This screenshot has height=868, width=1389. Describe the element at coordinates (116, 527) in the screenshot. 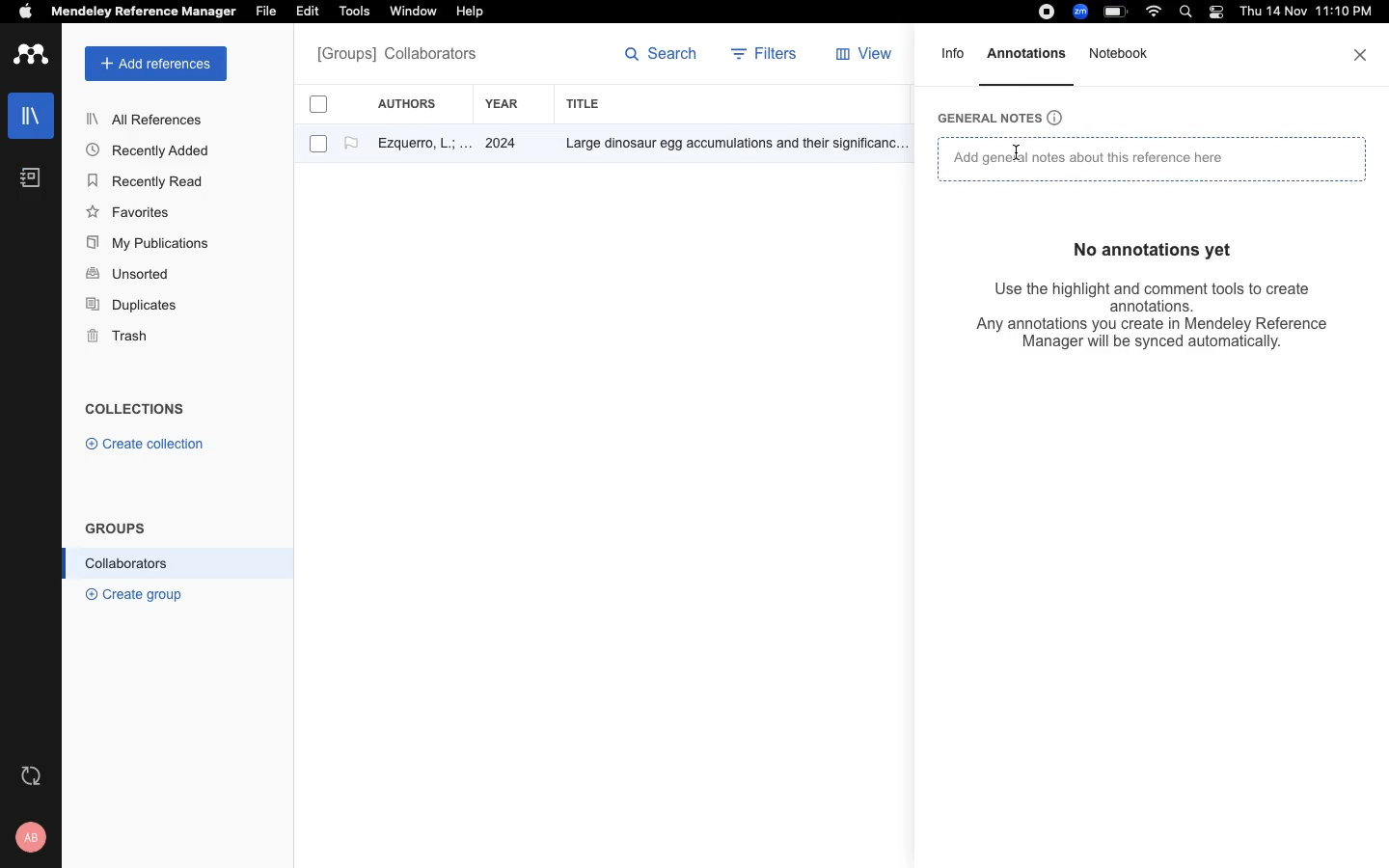

I see `GROUPS` at that location.